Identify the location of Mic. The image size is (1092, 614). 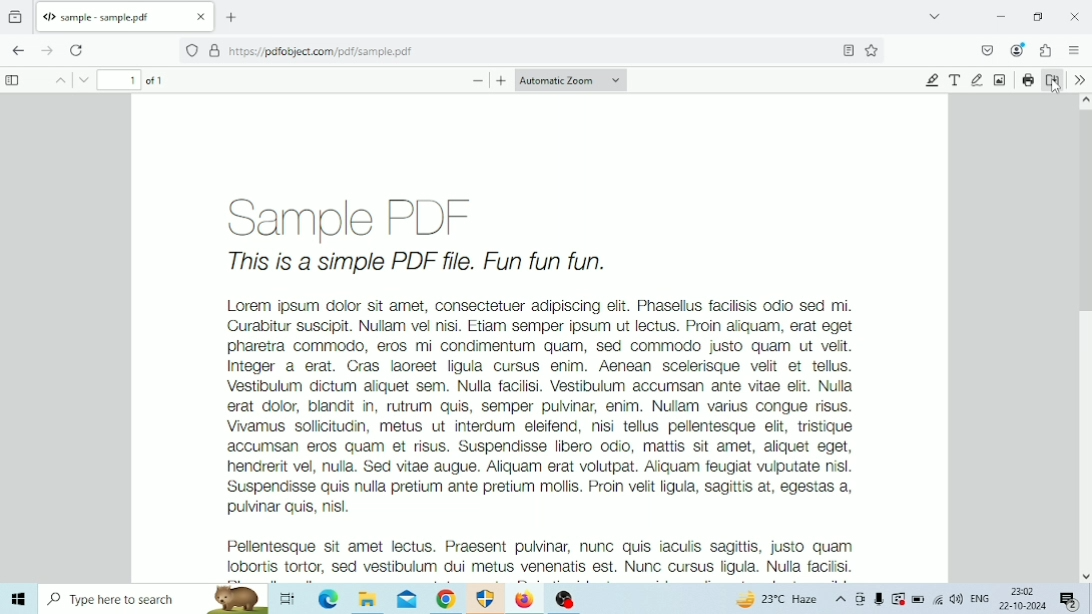
(879, 599).